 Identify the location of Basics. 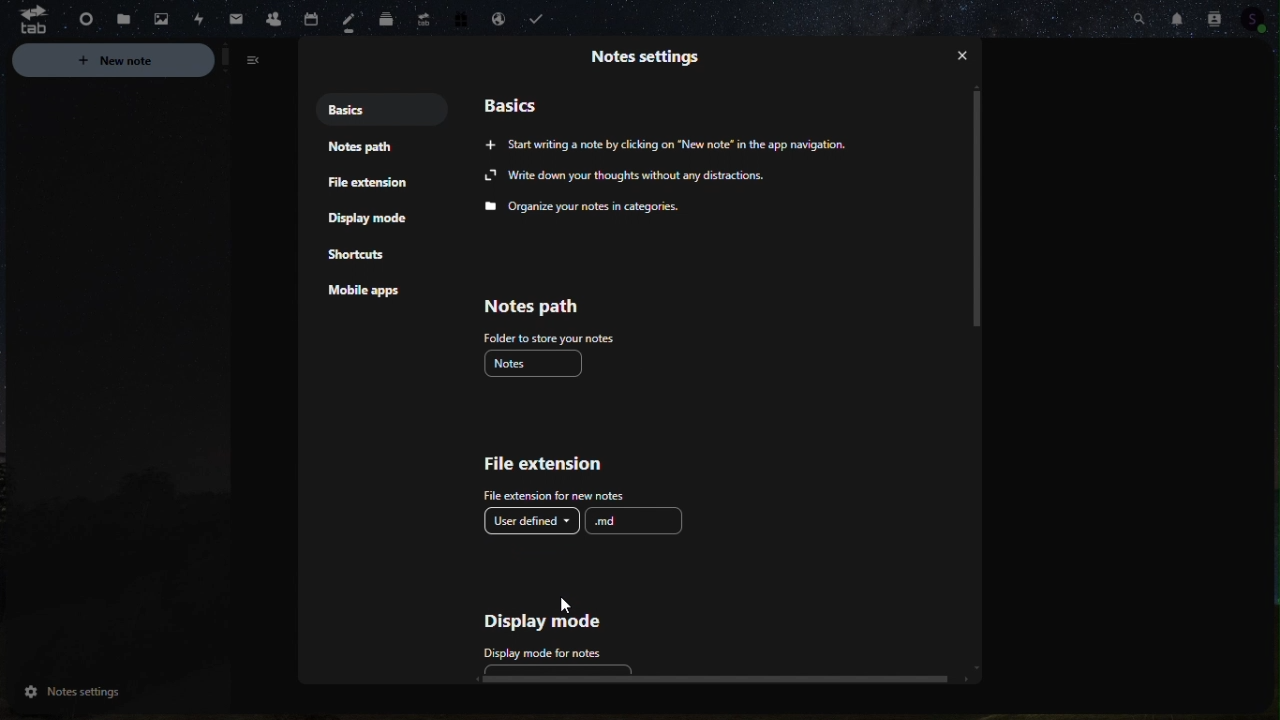
(524, 101).